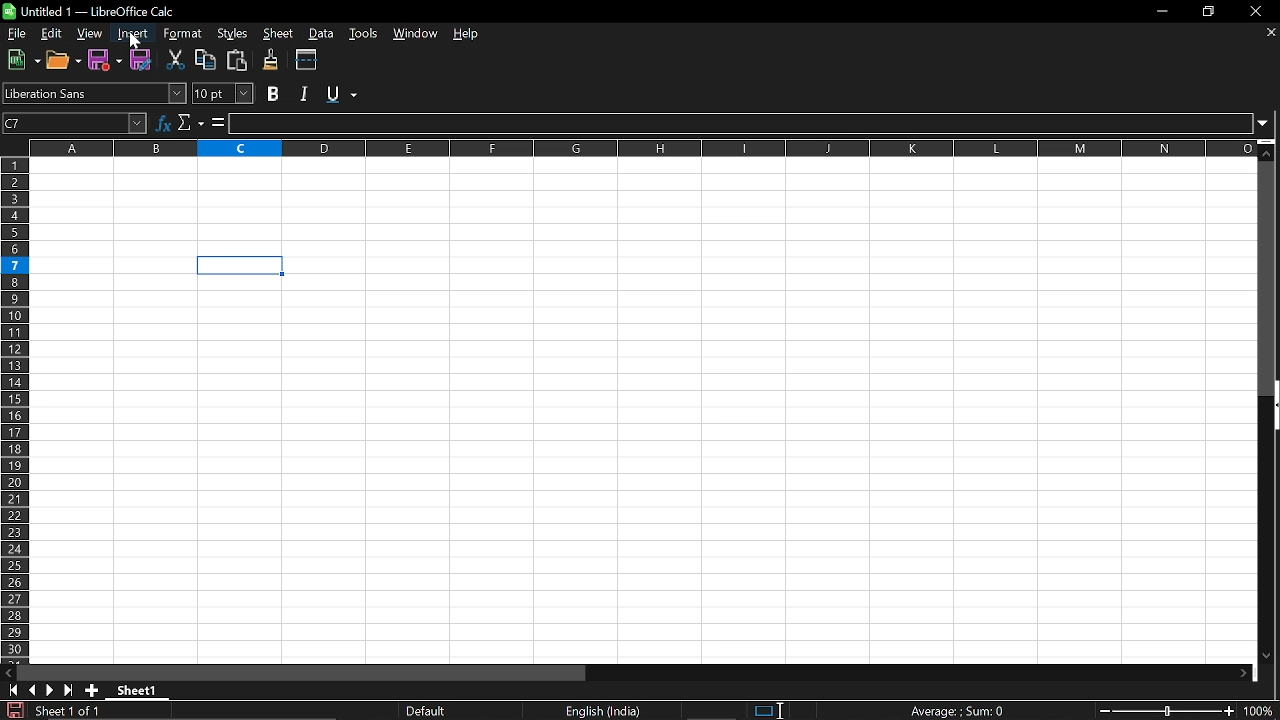  I want to click on Save, so click(107, 60).